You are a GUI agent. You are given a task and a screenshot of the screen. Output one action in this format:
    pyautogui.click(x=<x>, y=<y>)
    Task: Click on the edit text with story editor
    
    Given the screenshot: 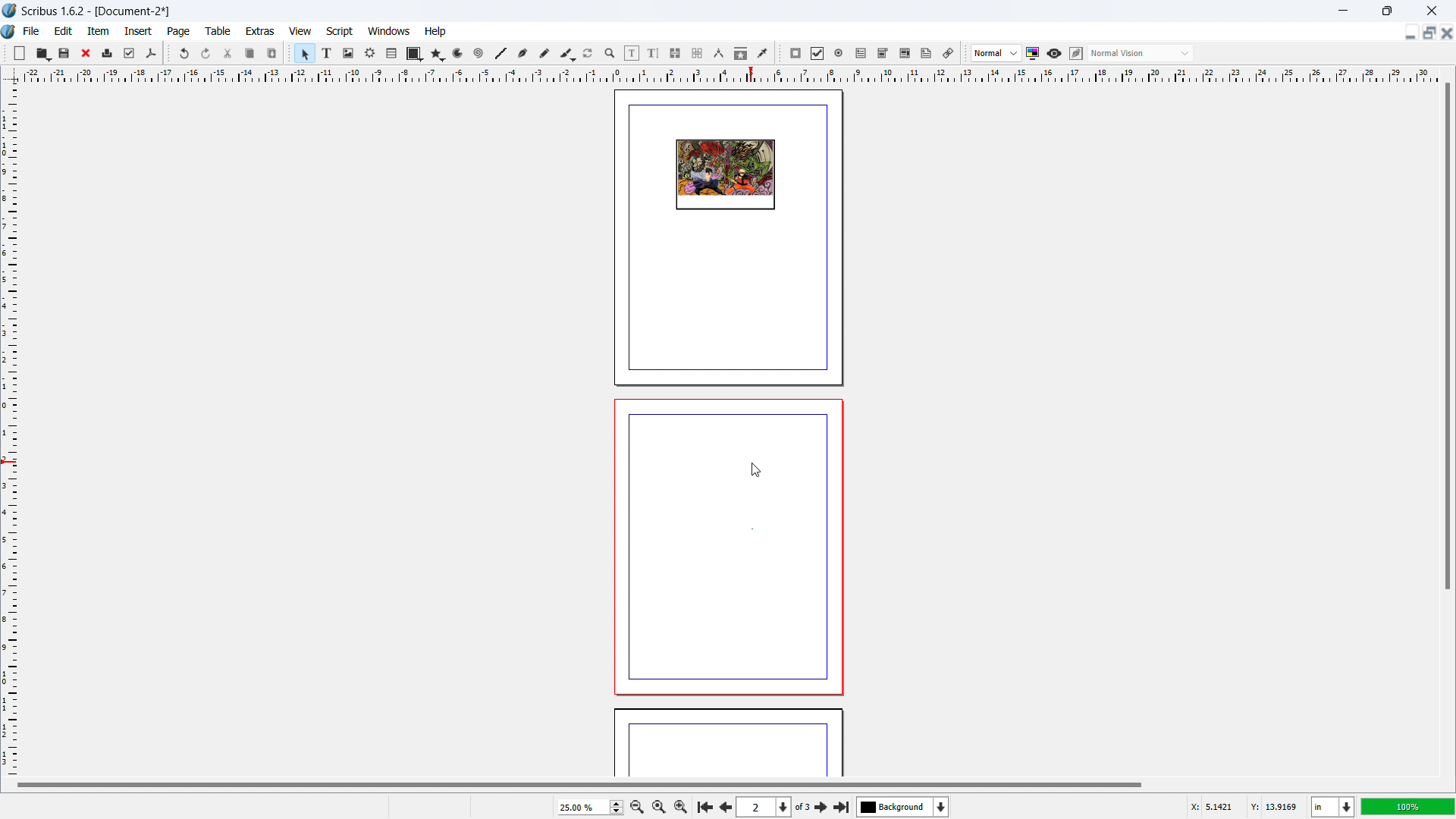 What is the action you would take?
    pyautogui.click(x=653, y=53)
    